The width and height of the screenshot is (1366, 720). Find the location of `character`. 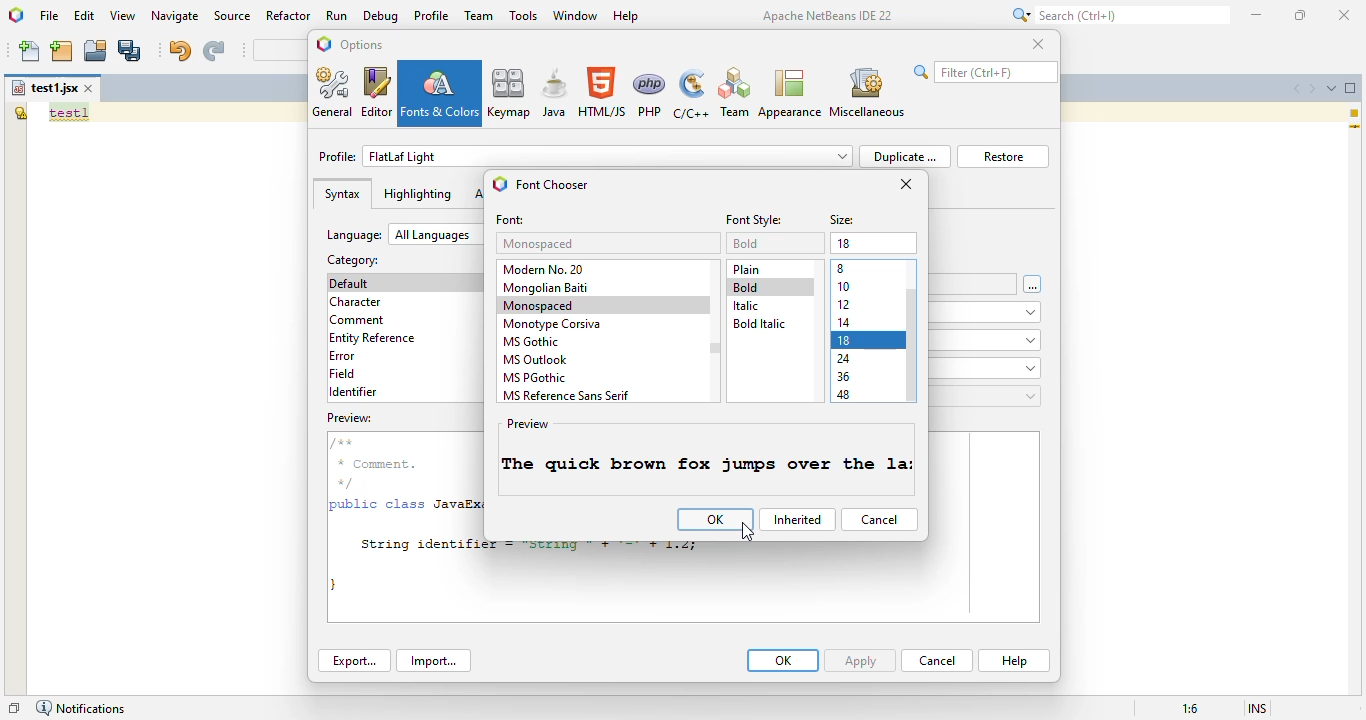

character is located at coordinates (355, 302).